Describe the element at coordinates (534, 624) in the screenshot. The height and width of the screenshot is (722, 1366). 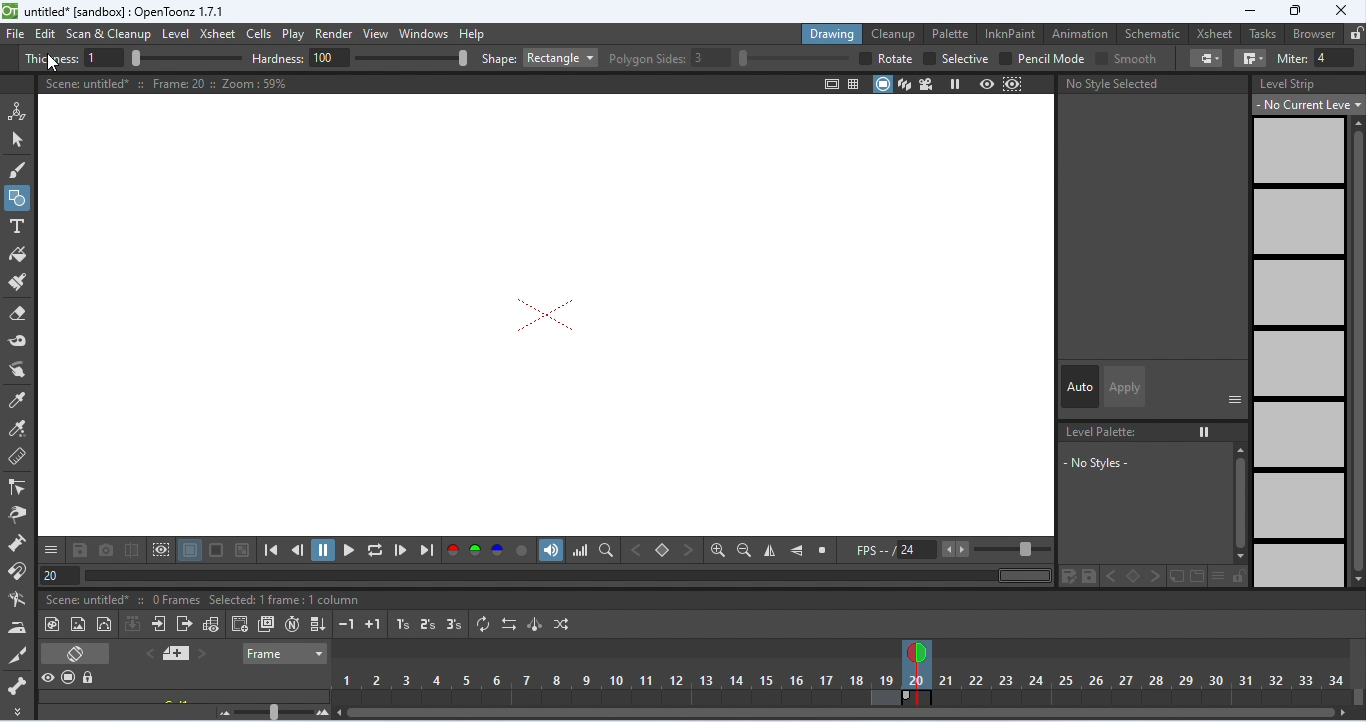
I see `swing` at that location.